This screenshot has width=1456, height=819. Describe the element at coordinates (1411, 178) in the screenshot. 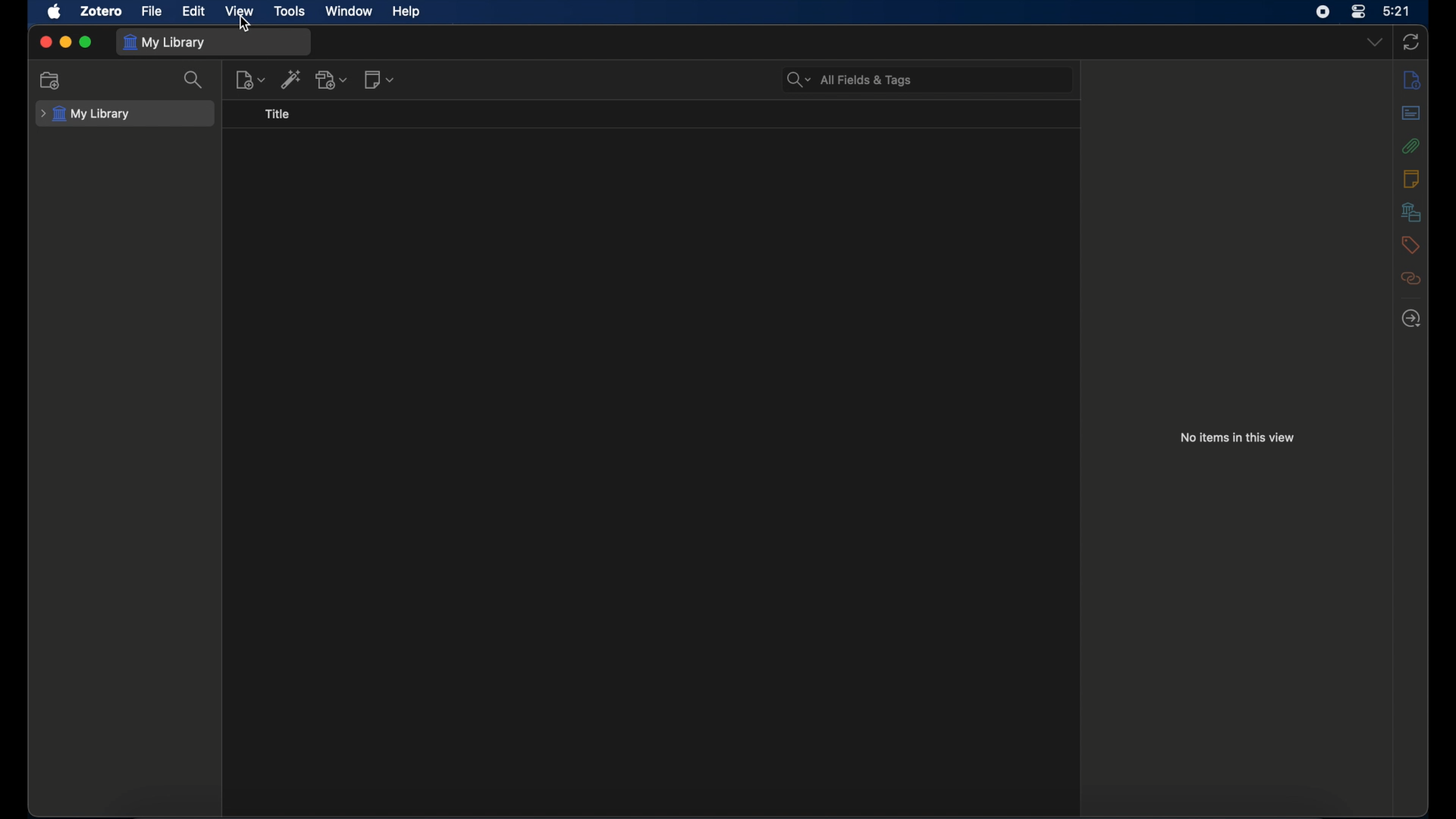

I see `notes` at that location.